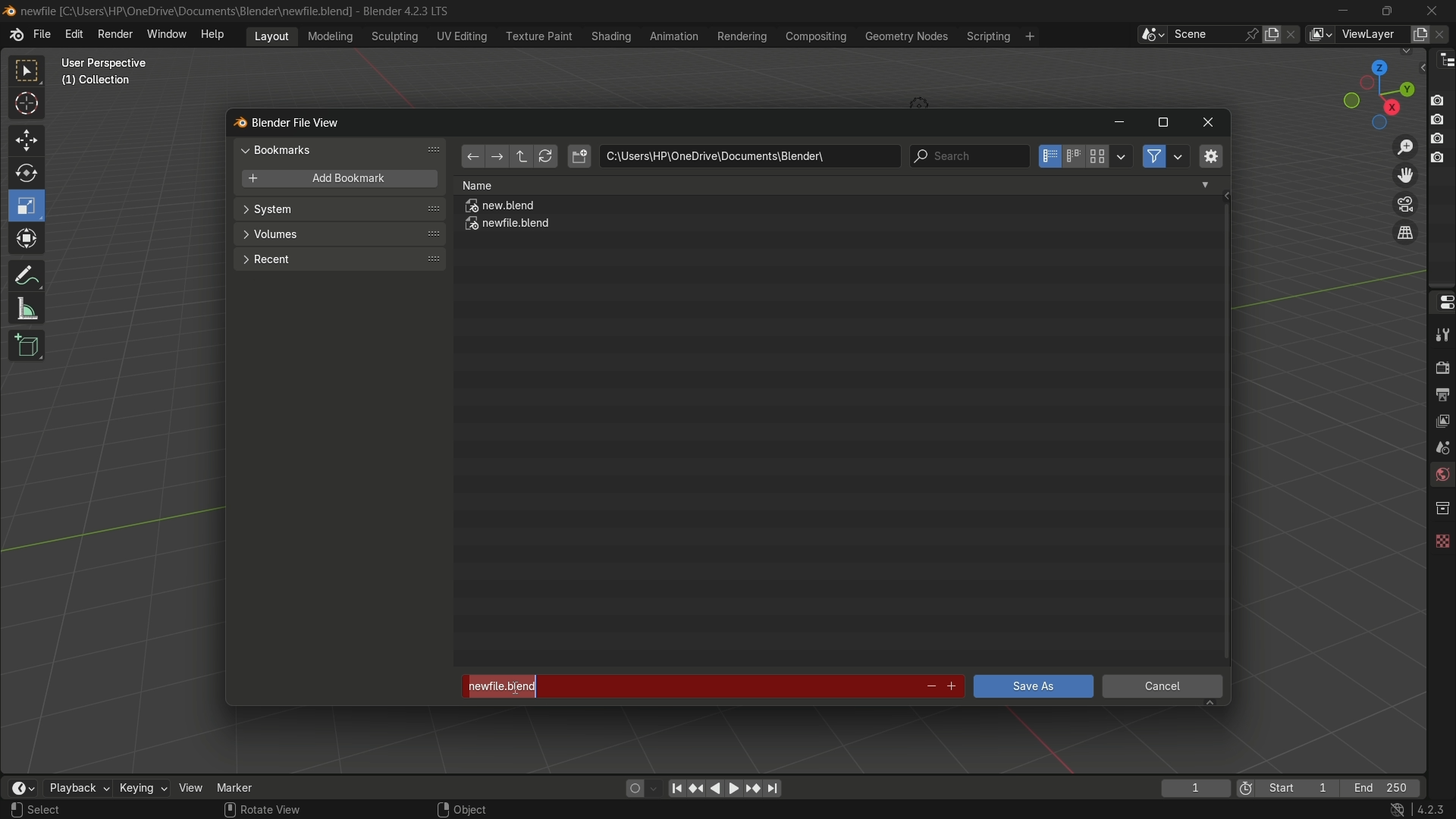  Describe the element at coordinates (1439, 366) in the screenshot. I see `render` at that location.